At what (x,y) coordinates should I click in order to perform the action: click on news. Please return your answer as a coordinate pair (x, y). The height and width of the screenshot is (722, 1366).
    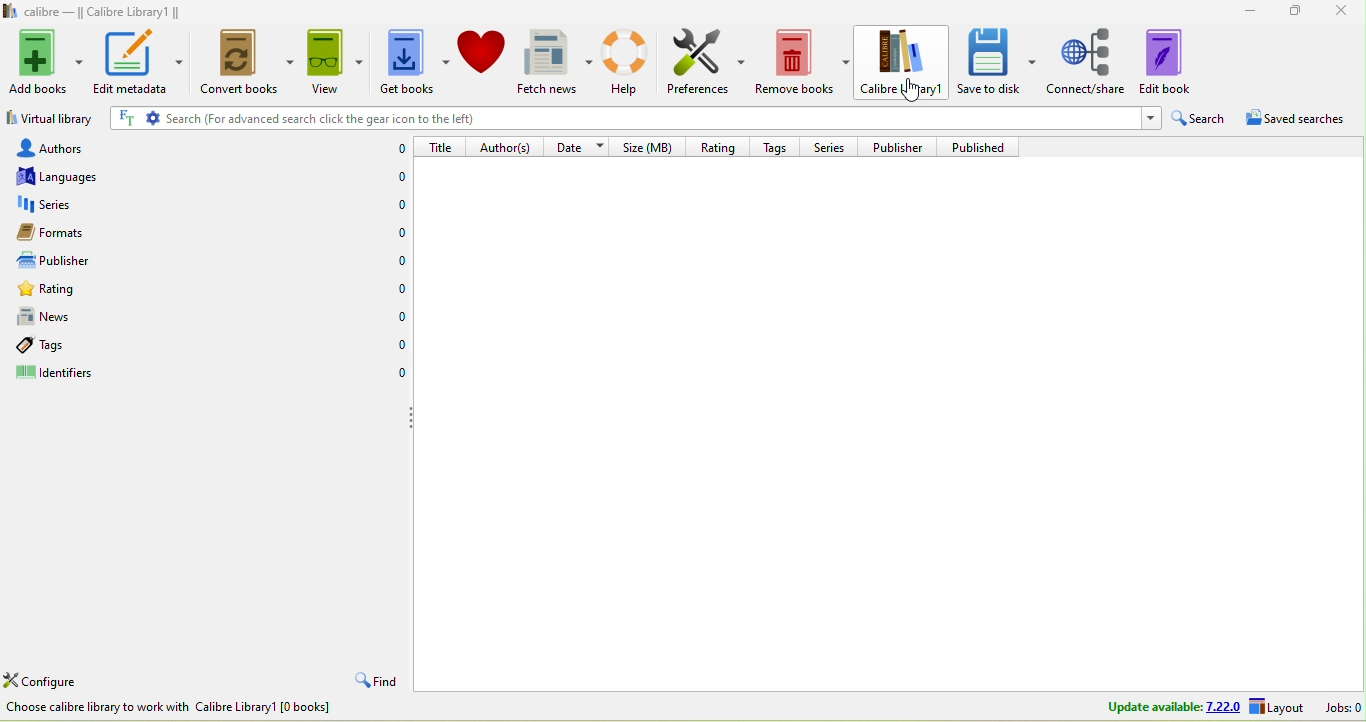
    Looking at the image, I should click on (84, 317).